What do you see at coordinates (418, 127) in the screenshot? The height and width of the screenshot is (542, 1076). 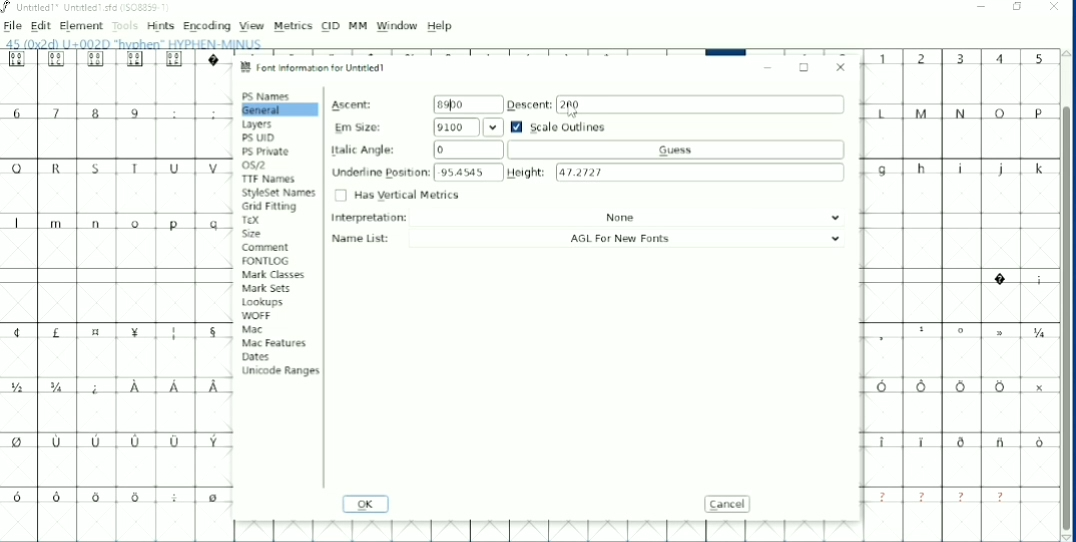 I see `Em Size` at bounding box center [418, 127].